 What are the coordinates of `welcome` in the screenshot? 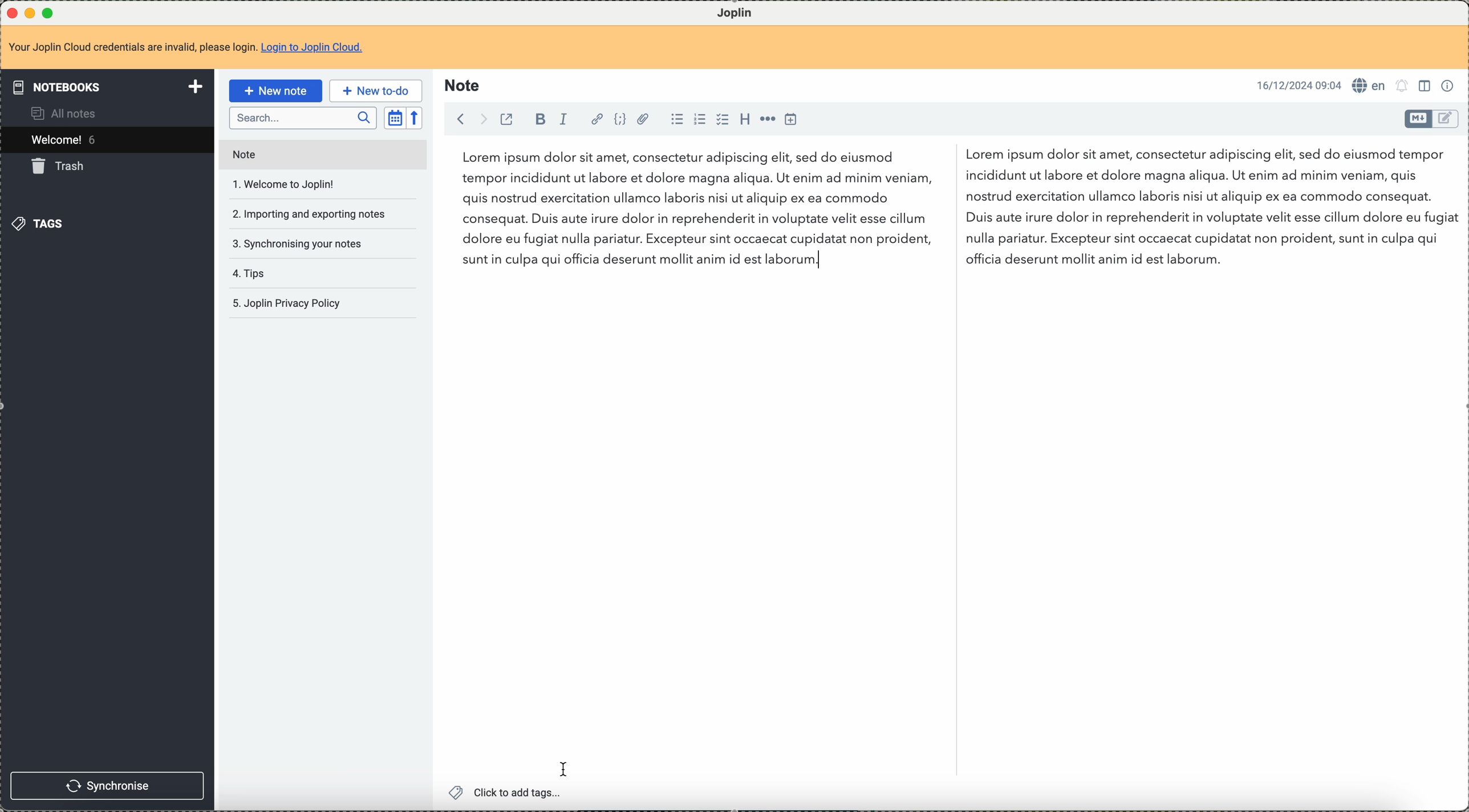 It's located at (105, 140).